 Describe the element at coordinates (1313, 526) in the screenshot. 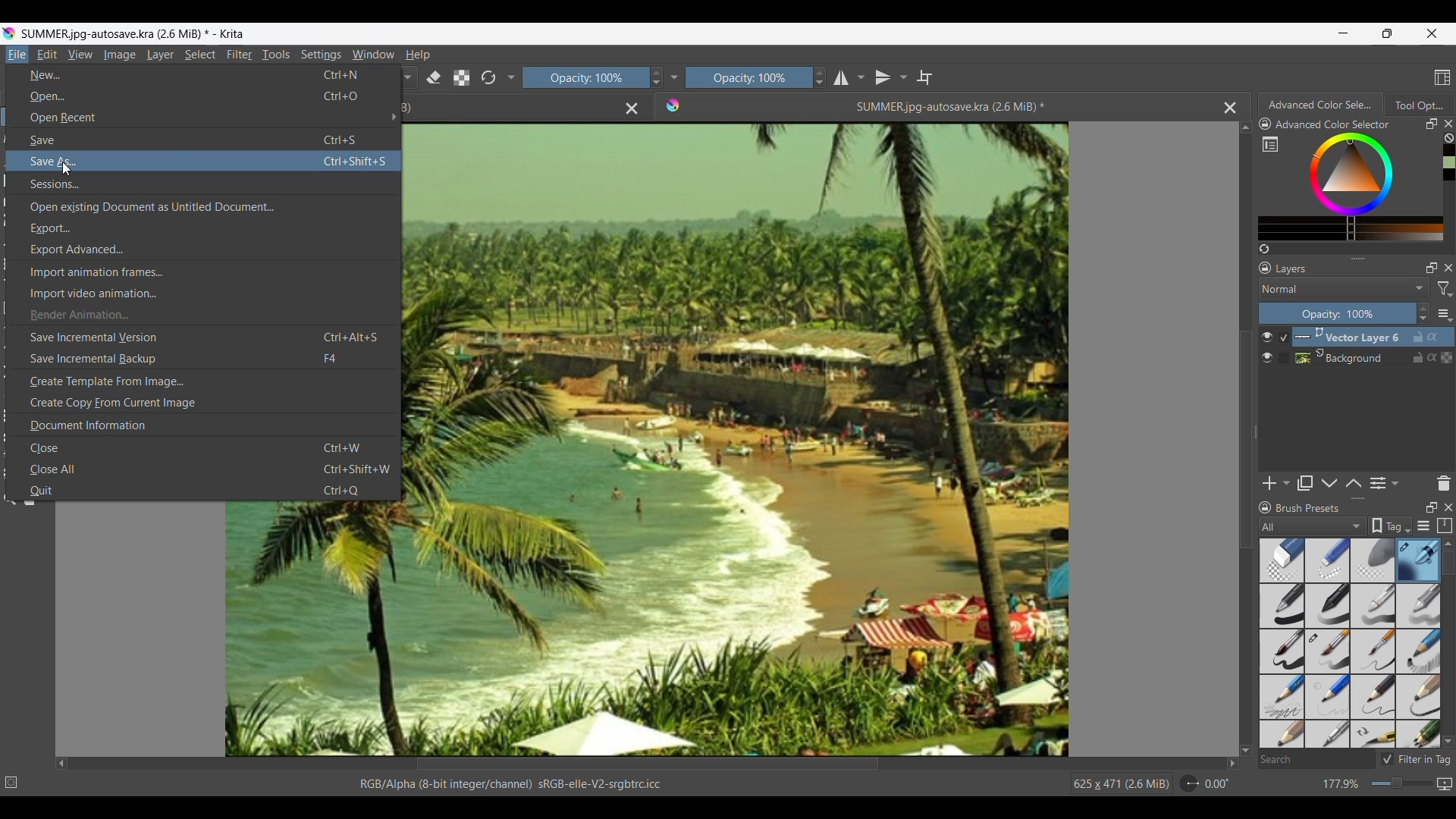

I see `Filter options for brush presets` at that location.